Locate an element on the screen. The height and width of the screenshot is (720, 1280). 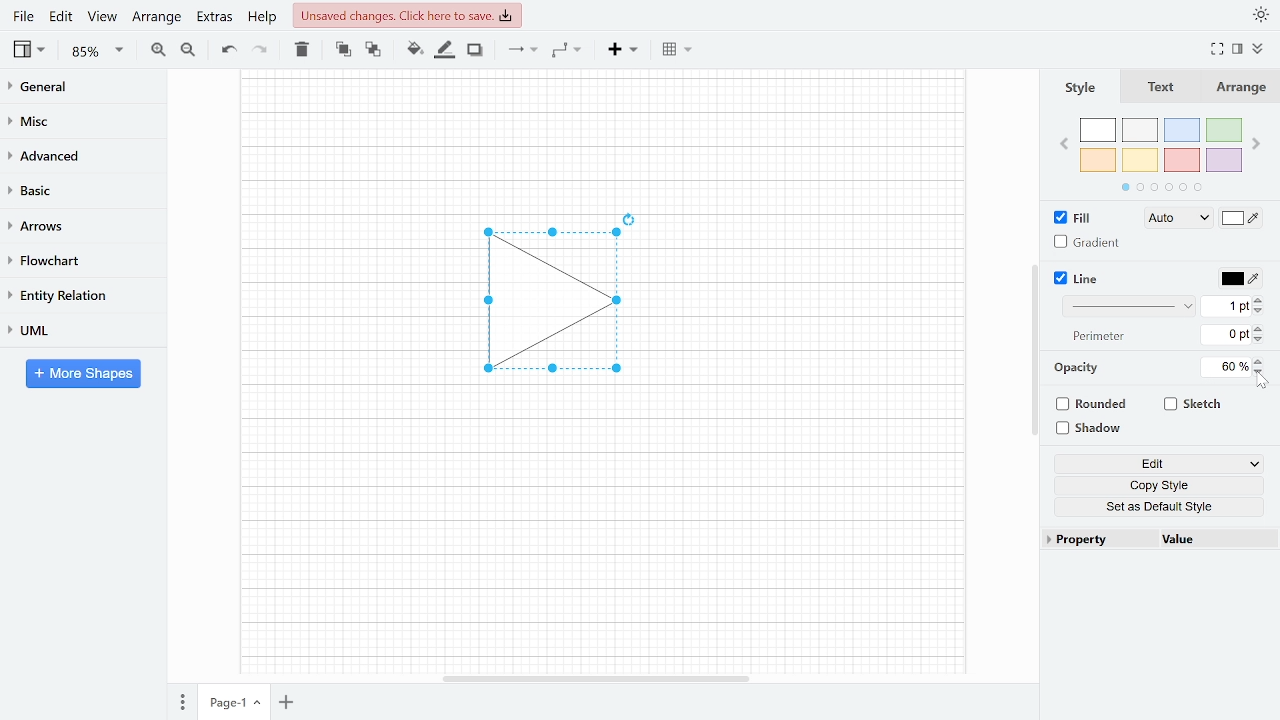
Pages is located at coordinates (181, 704).